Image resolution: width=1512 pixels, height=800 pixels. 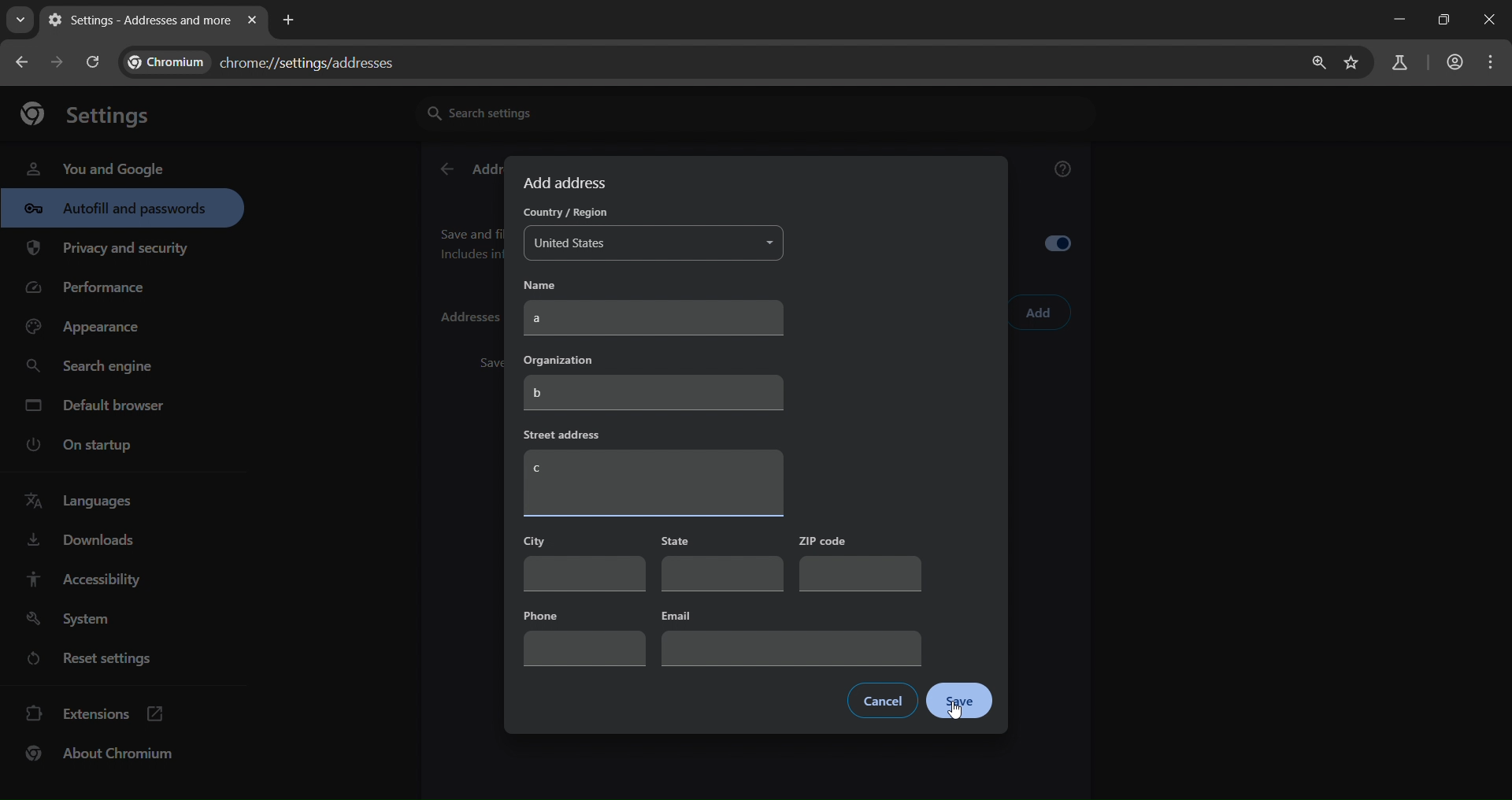 I want to click on state, so click(x=720, y=565).